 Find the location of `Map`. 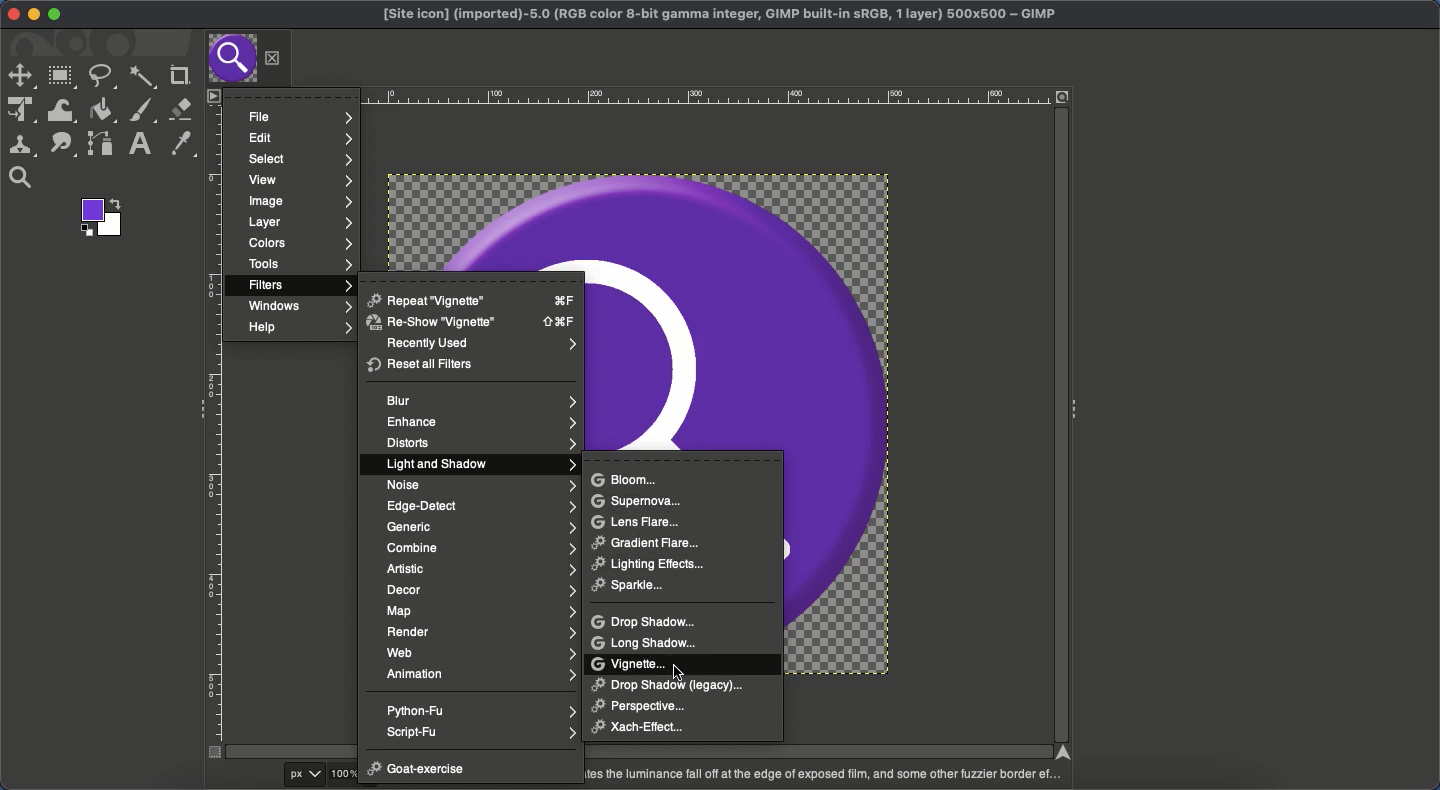

Map is located at coordinates (480, 610).